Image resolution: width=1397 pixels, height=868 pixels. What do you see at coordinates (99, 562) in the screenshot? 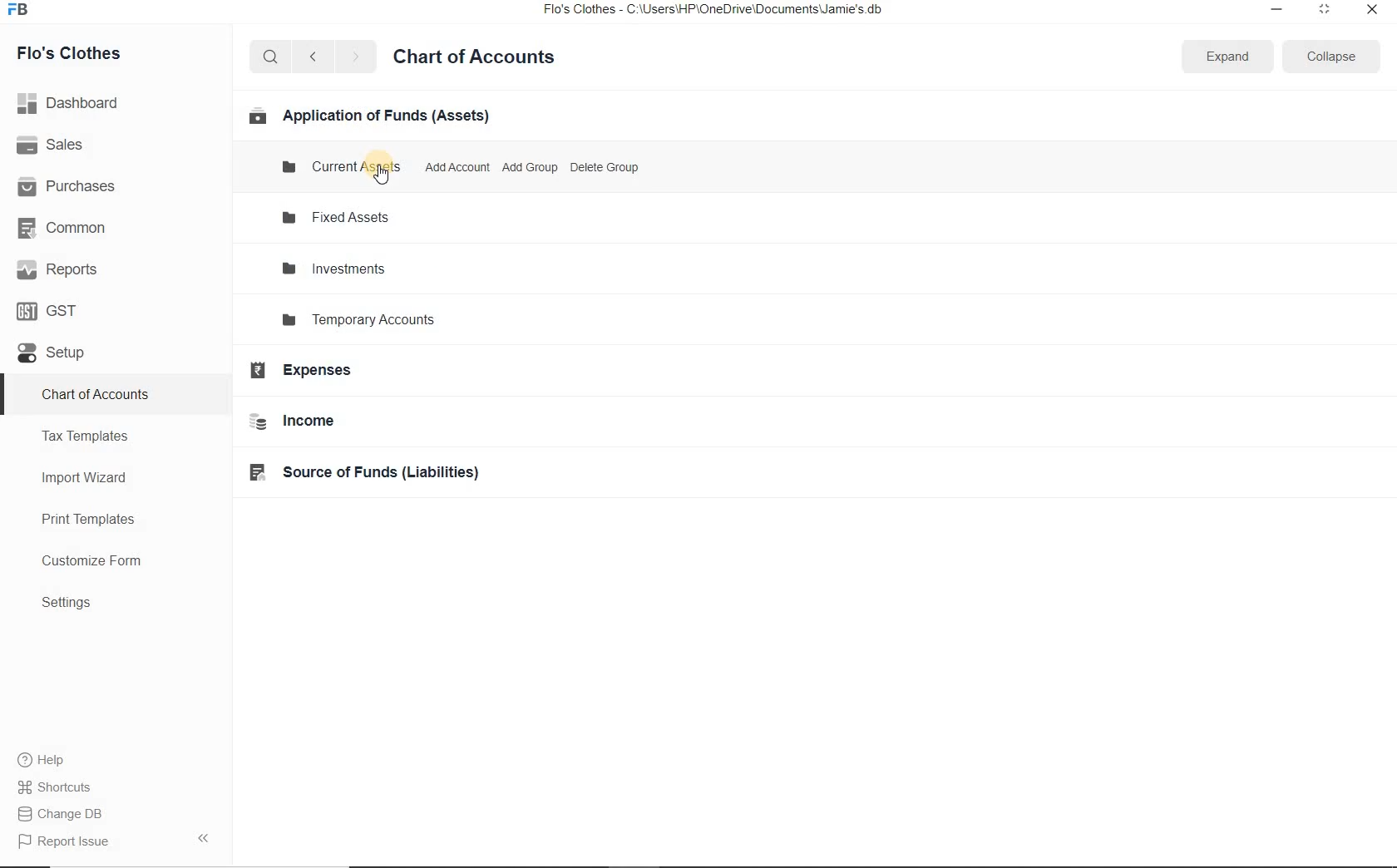
I see `Customize Form` at bounding box center [99, 562].